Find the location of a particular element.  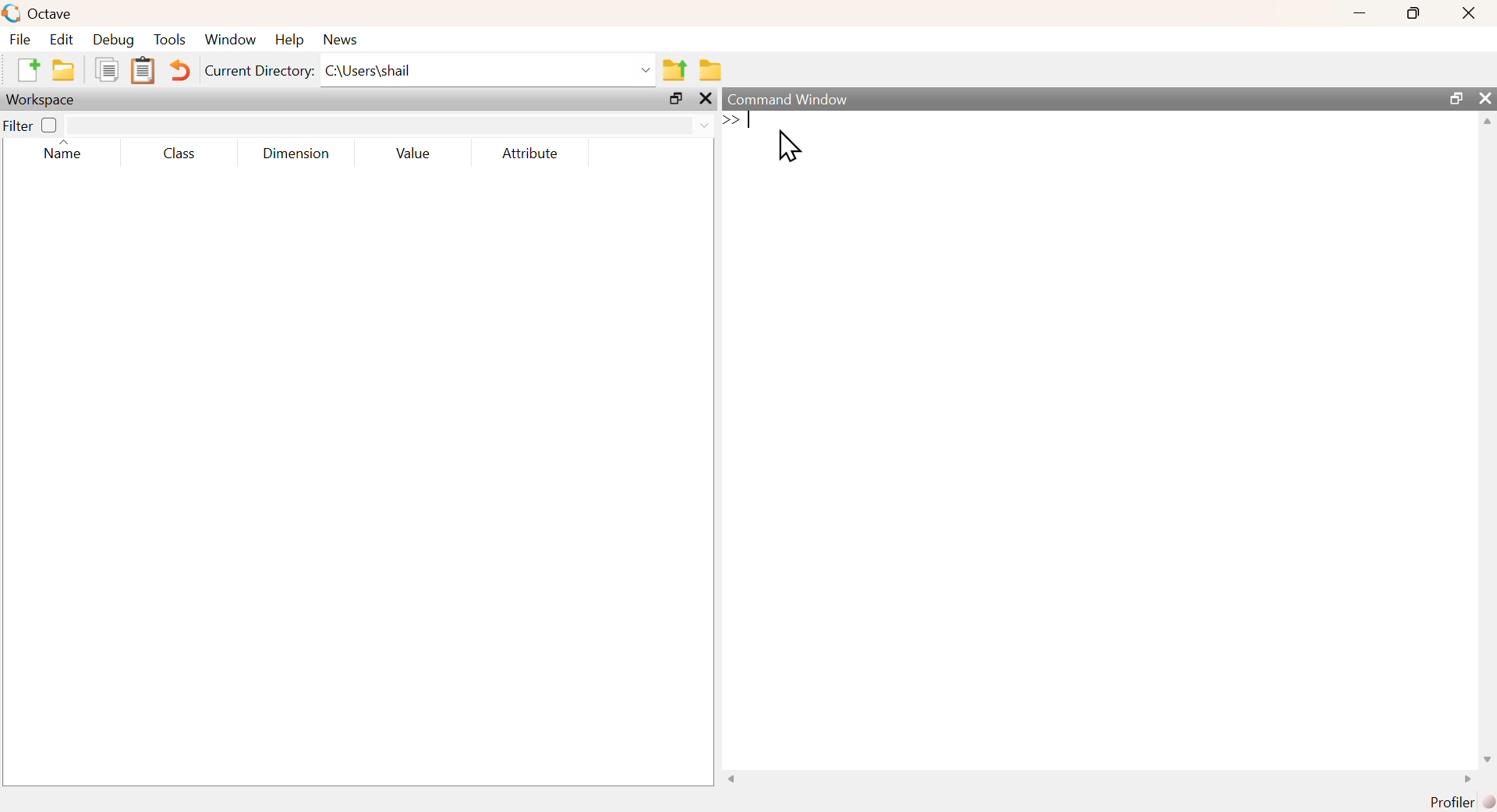

scroll right is located at coordinates (1464, 780).